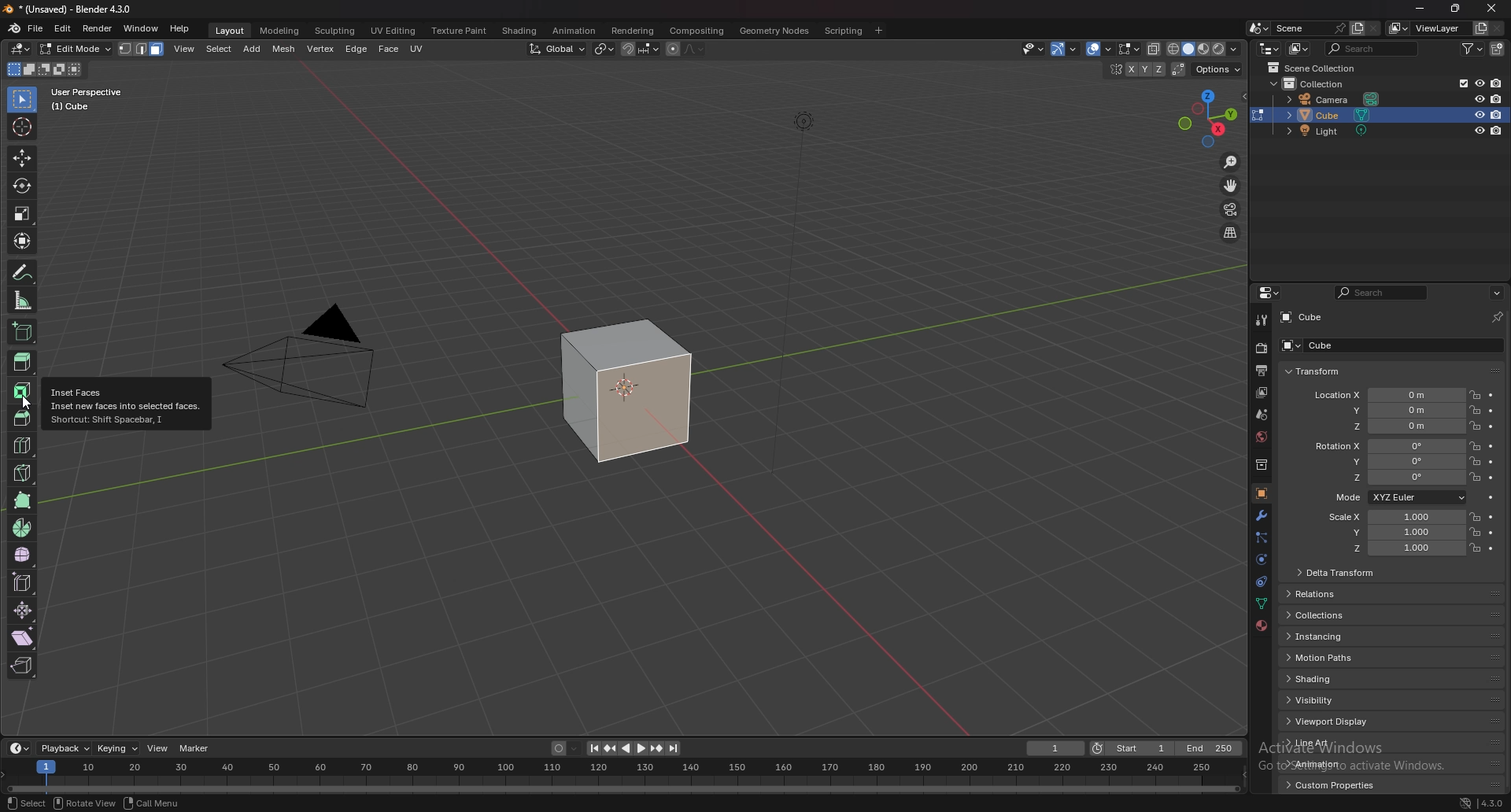  What do you see at coordinates (1491, 447) in the screenshot?
I see `animate property` at bounding box center [1491, 447].